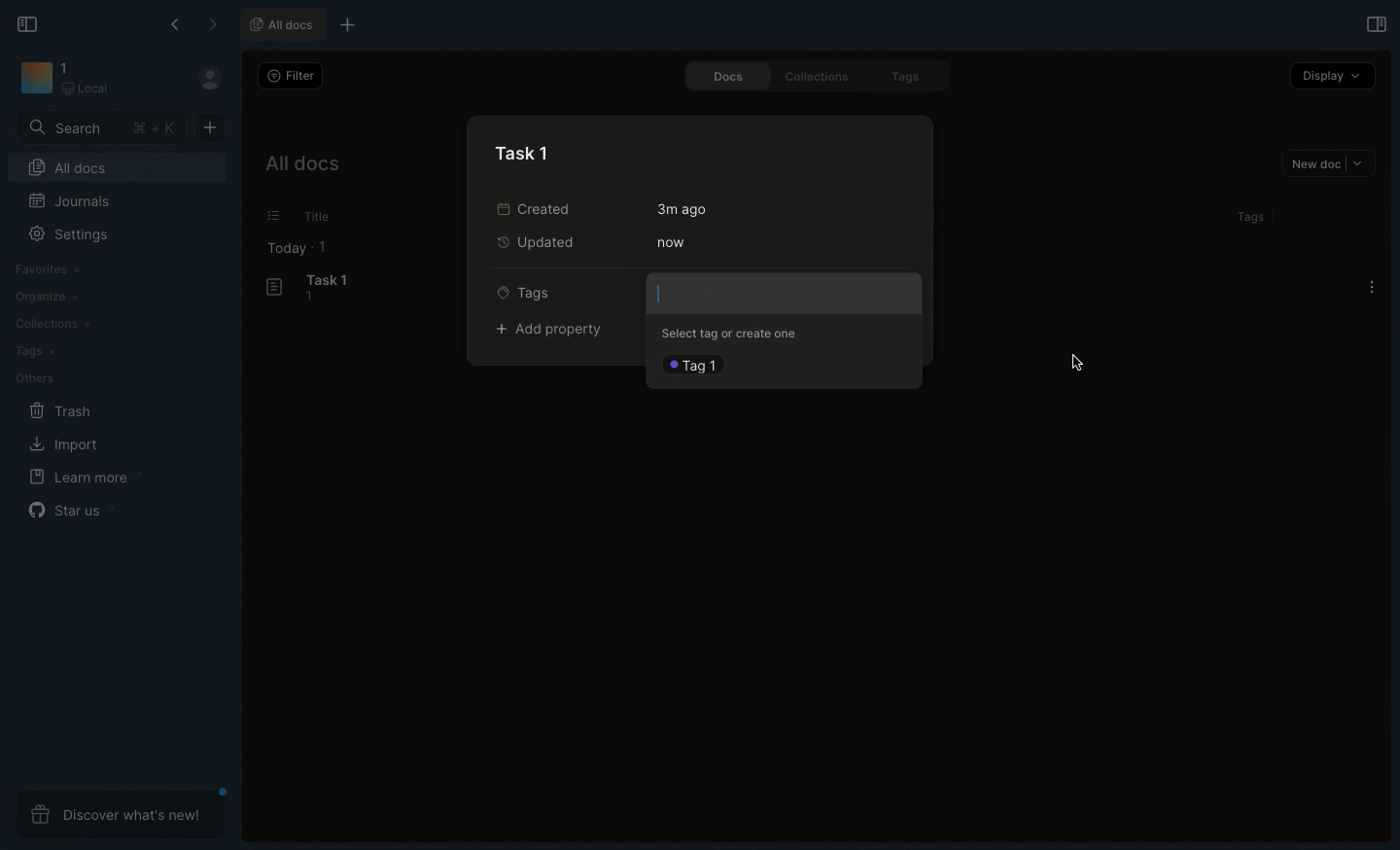 This screenshot has height=850, width=1400. I want to click on Others, so click(40, 379).